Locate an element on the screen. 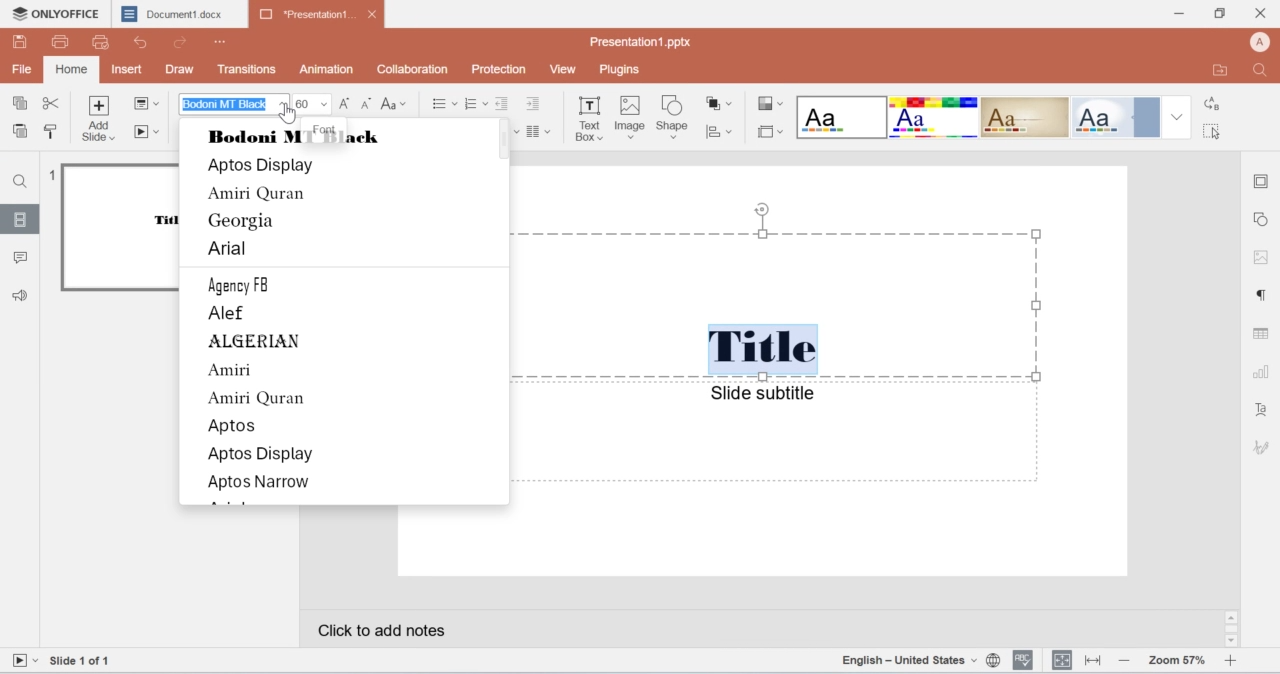 Image resolution: width=1280 pixels, height=674 pixels. paste is located at coordinates (21, 132).